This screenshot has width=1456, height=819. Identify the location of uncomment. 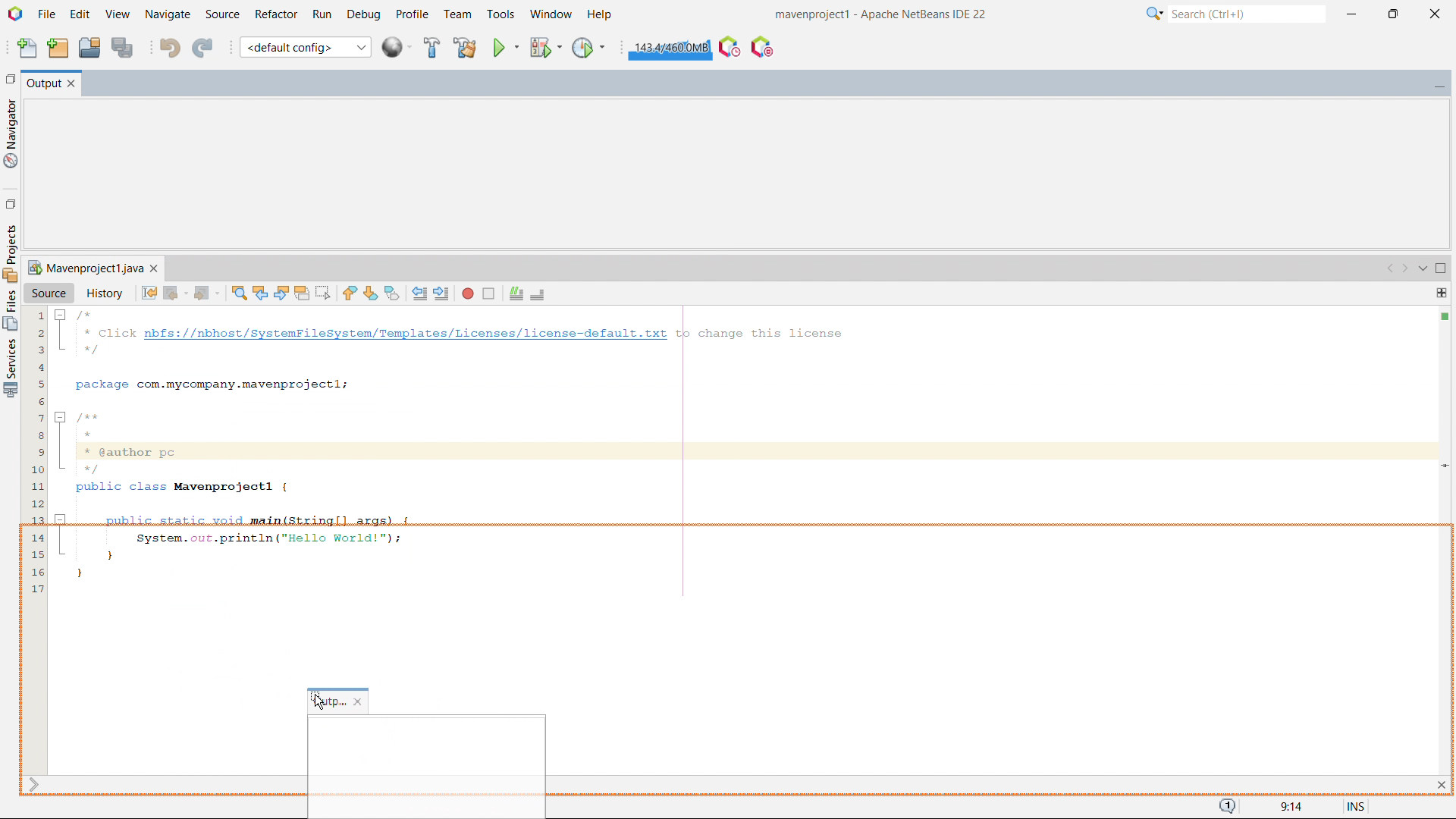
(538, 295).